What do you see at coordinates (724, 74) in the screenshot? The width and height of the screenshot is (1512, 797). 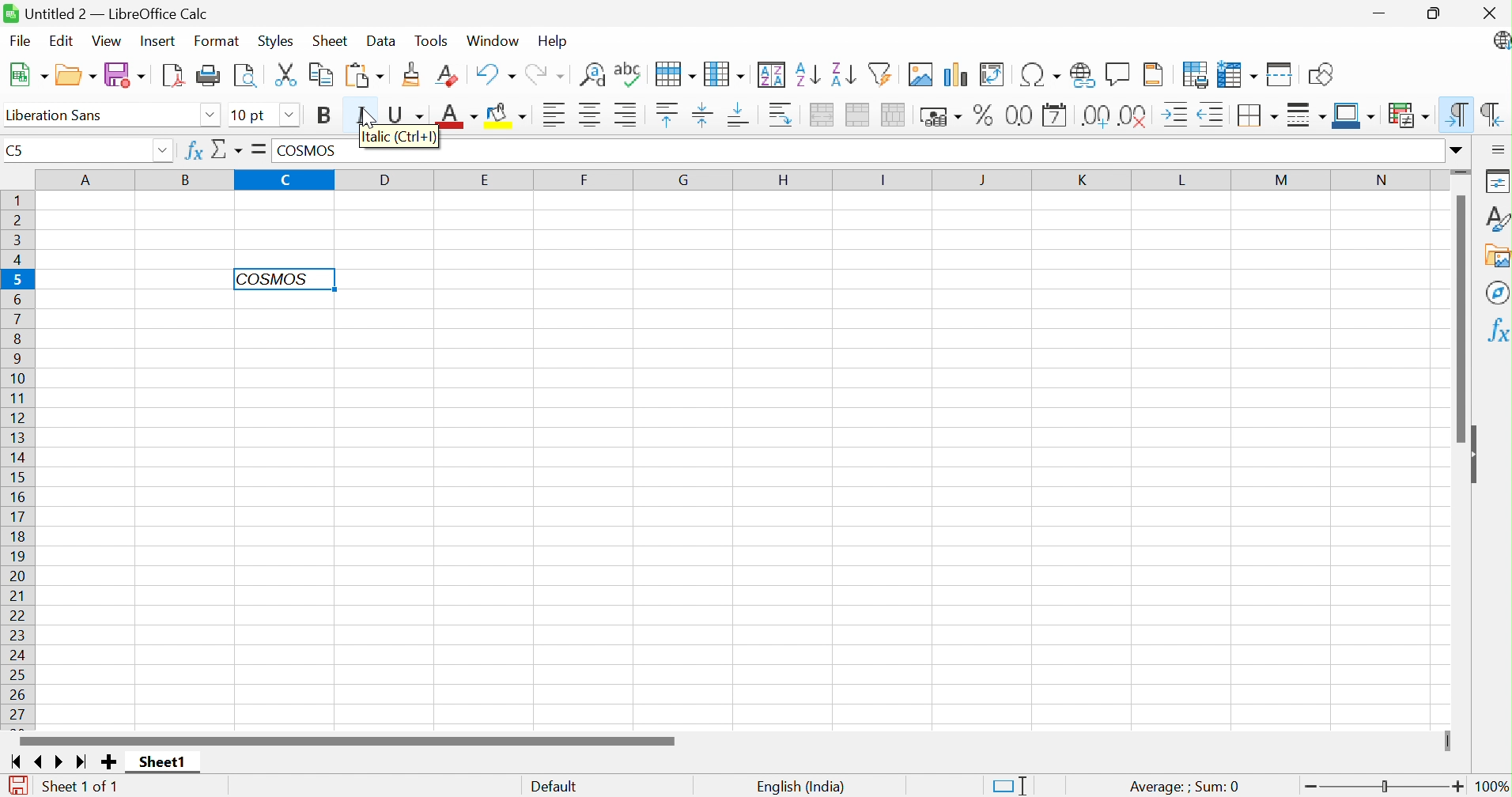 I see `Column` at bounding box center [724, 74].